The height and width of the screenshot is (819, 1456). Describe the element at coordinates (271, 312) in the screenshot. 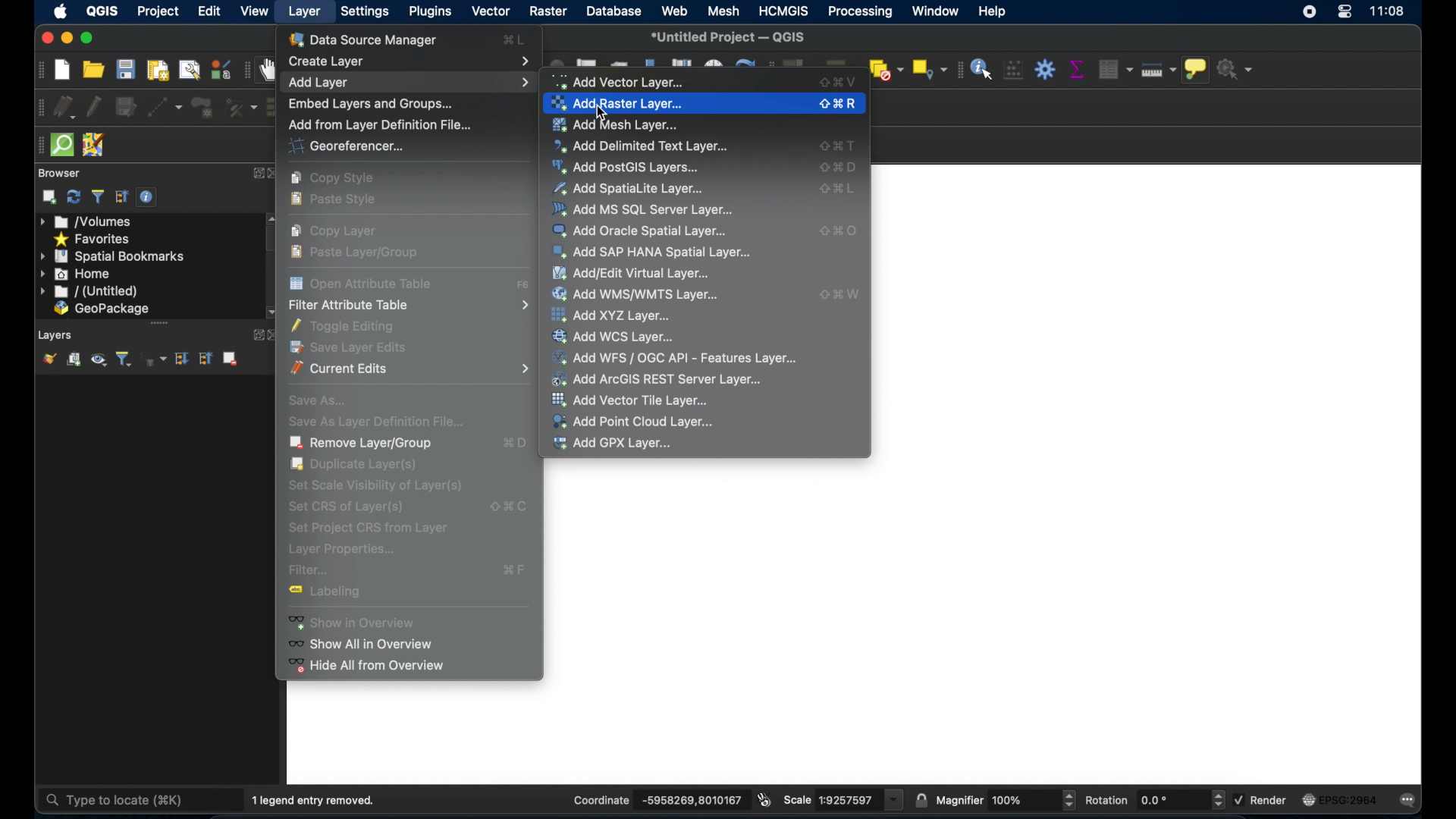

I see `scroll down arrow` at that location.